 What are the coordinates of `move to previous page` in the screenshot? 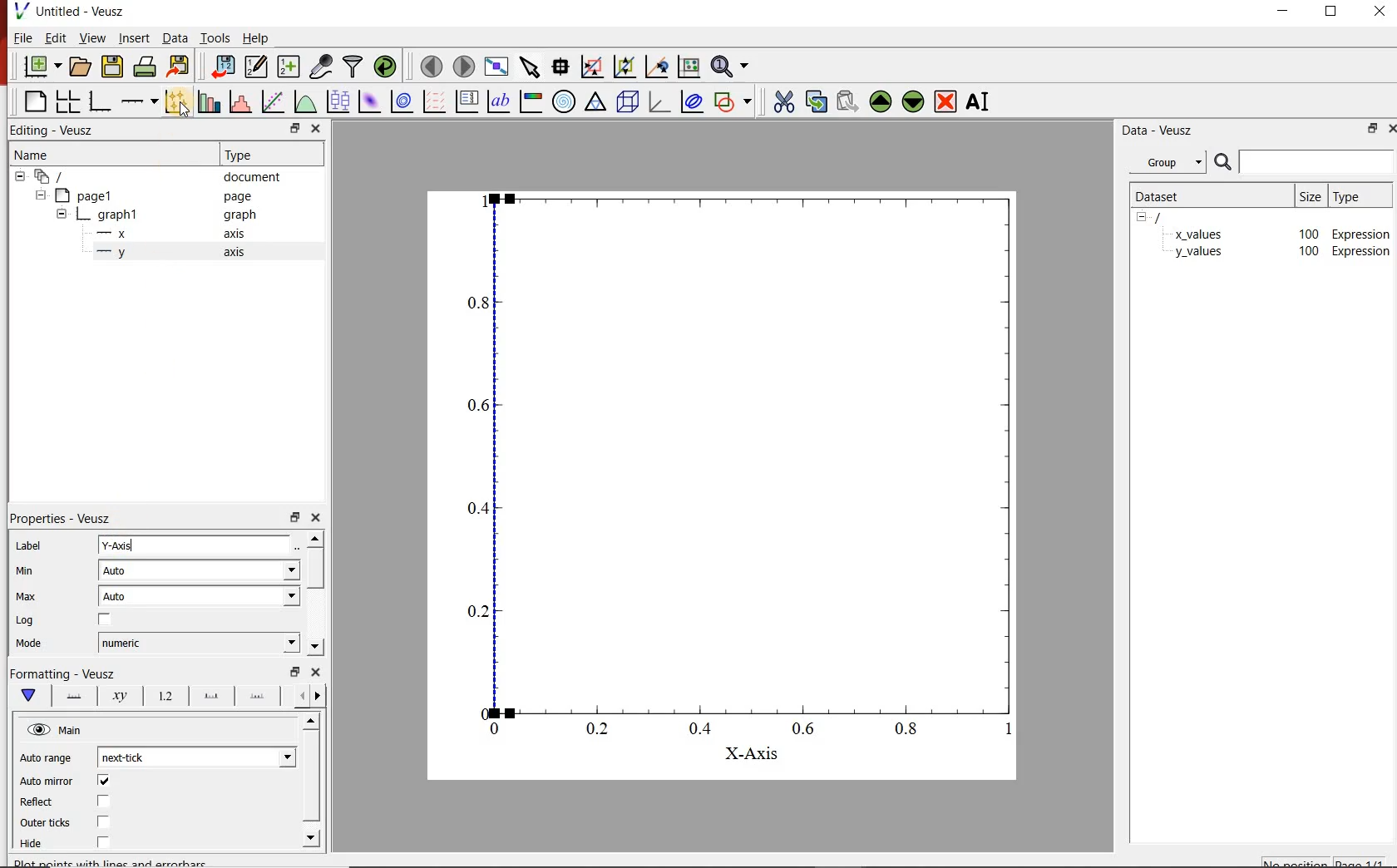 It's located at (431, 67).